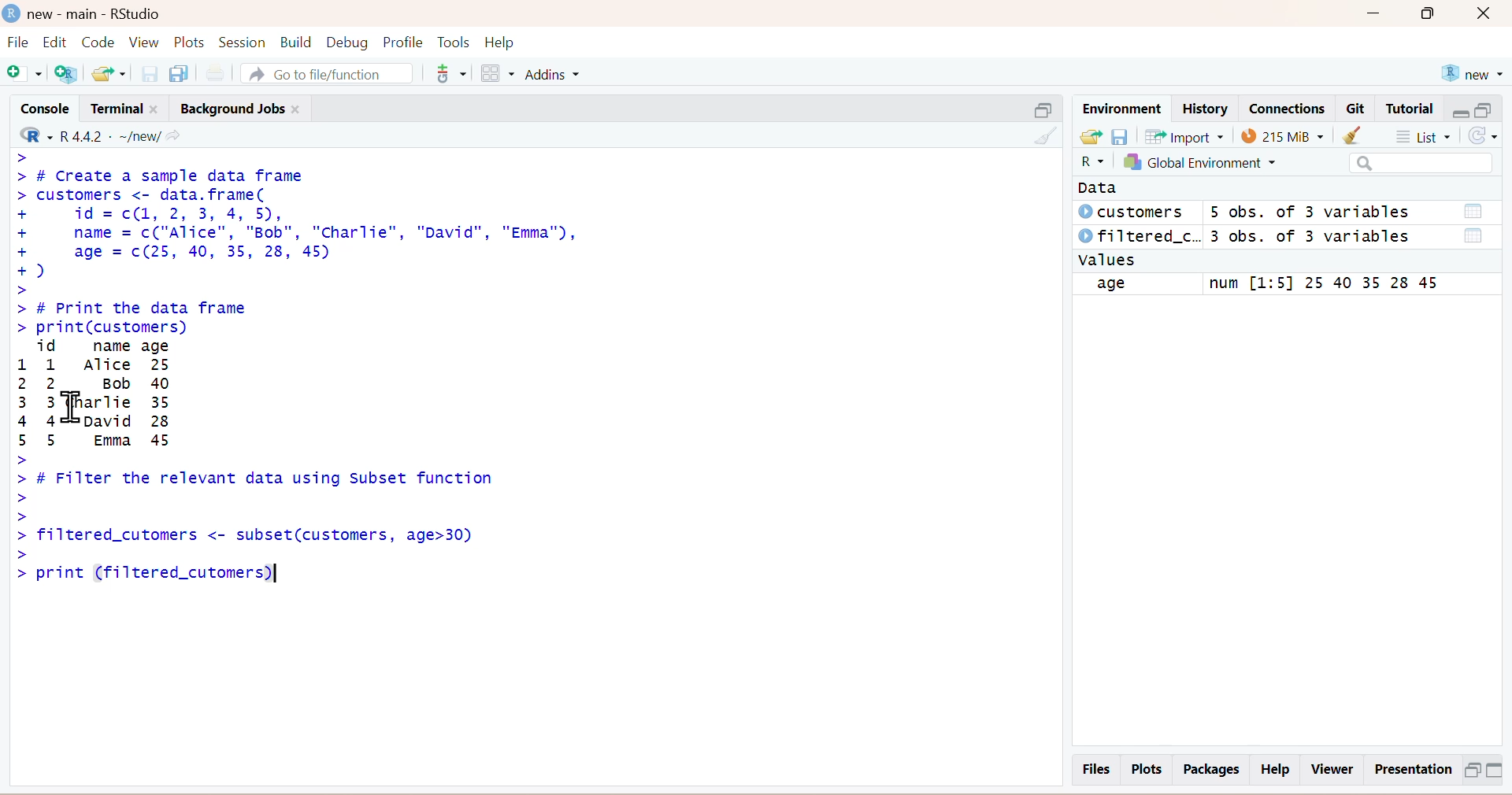 The height and width of the screenshot is (795, 1512). I want to click on Viewer, so click(1332, 769).